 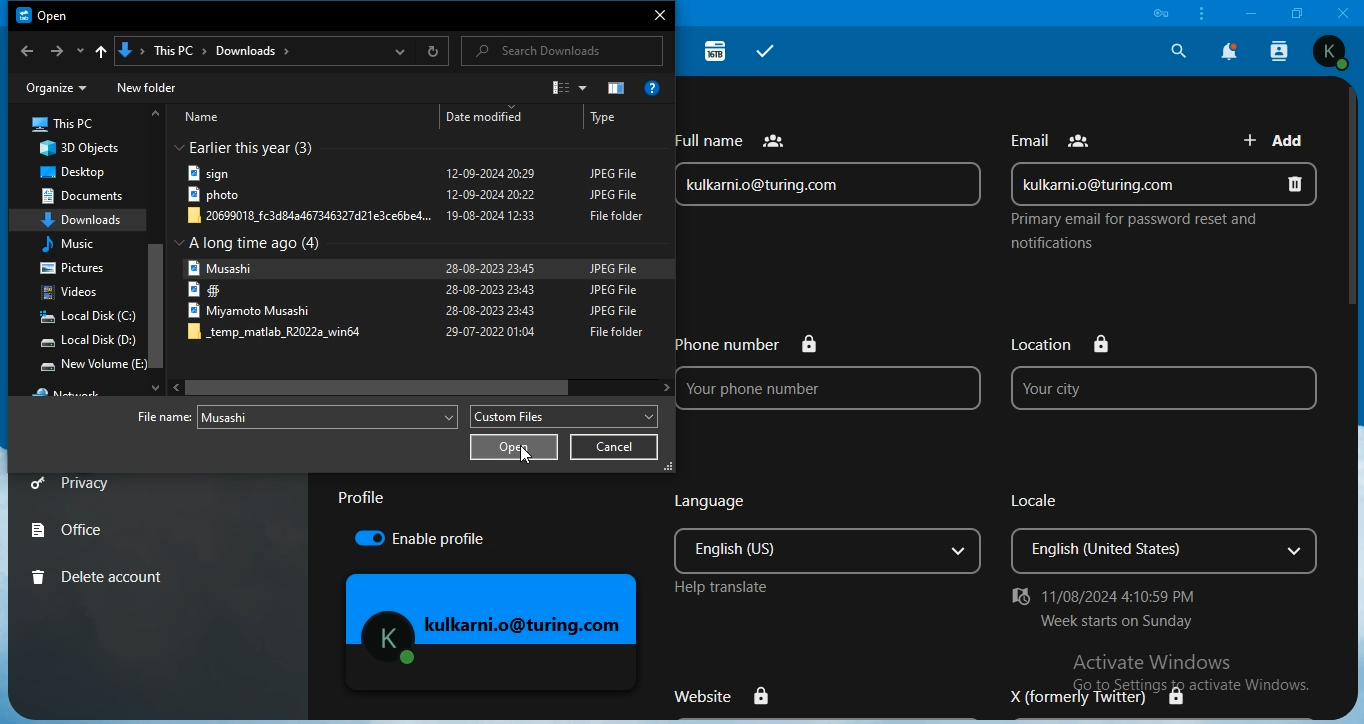 I want to click on , so click(x=82, y=54).